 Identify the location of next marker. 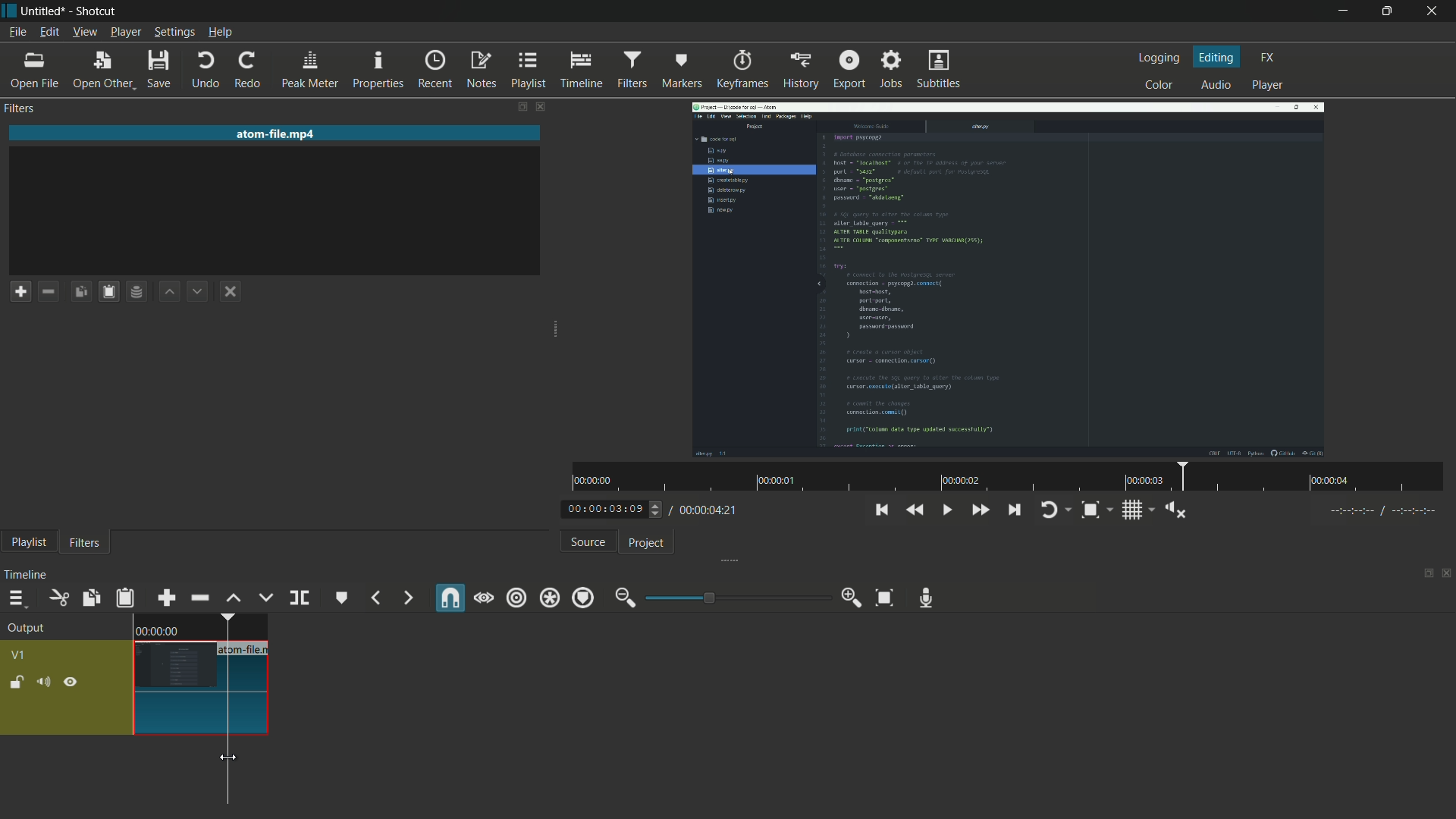
(406, 598).